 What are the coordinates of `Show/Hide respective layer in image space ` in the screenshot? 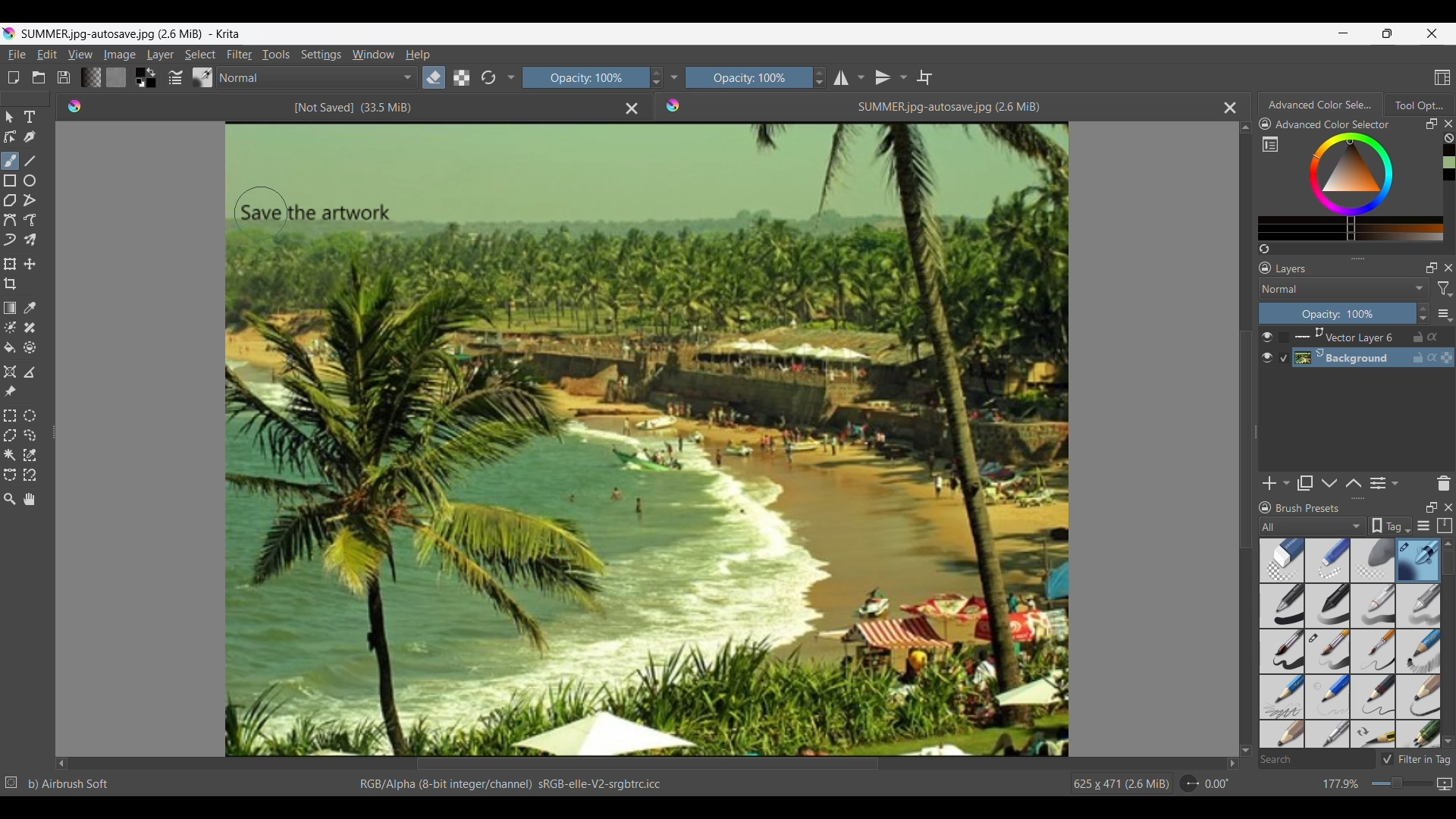 It's located at (1266, 347).